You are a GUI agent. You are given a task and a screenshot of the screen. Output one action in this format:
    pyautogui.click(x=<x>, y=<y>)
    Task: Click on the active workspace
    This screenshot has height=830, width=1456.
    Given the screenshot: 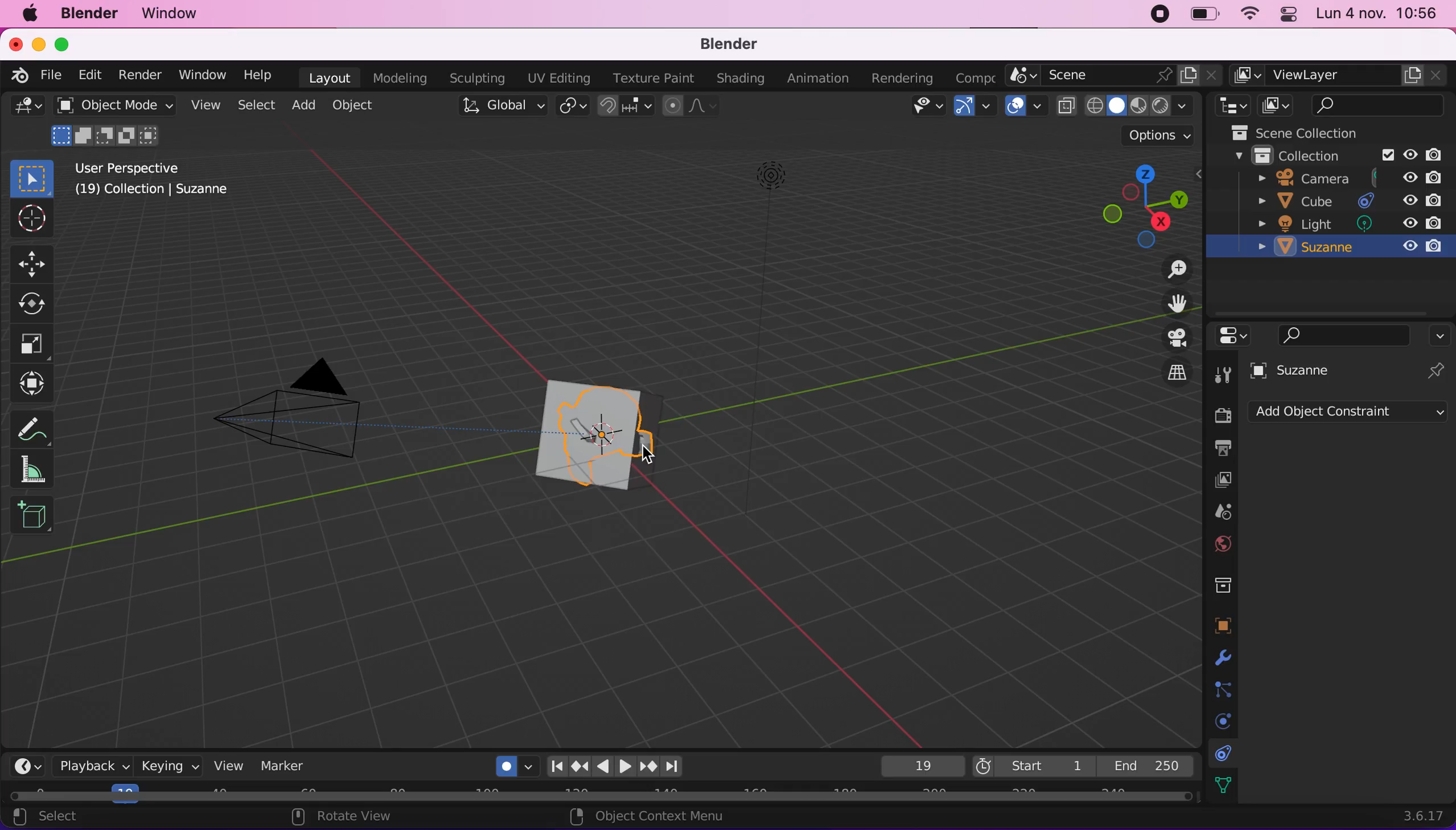 What is the action you would take?
    pyautogui.click(x=1245, y=75)
    